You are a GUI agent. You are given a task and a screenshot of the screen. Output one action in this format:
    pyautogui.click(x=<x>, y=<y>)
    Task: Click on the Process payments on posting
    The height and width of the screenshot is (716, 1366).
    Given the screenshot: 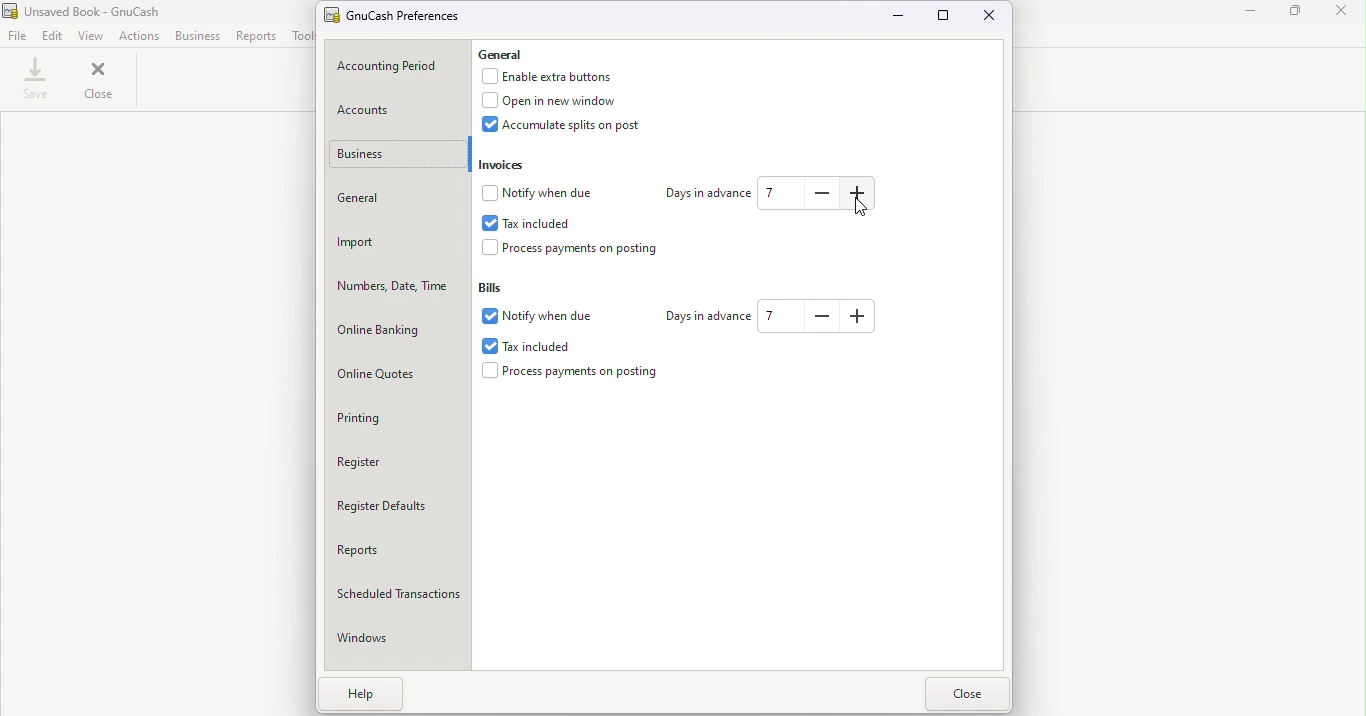 What is the action you would take?
    pyautogui.click(x=575, y=373)
    